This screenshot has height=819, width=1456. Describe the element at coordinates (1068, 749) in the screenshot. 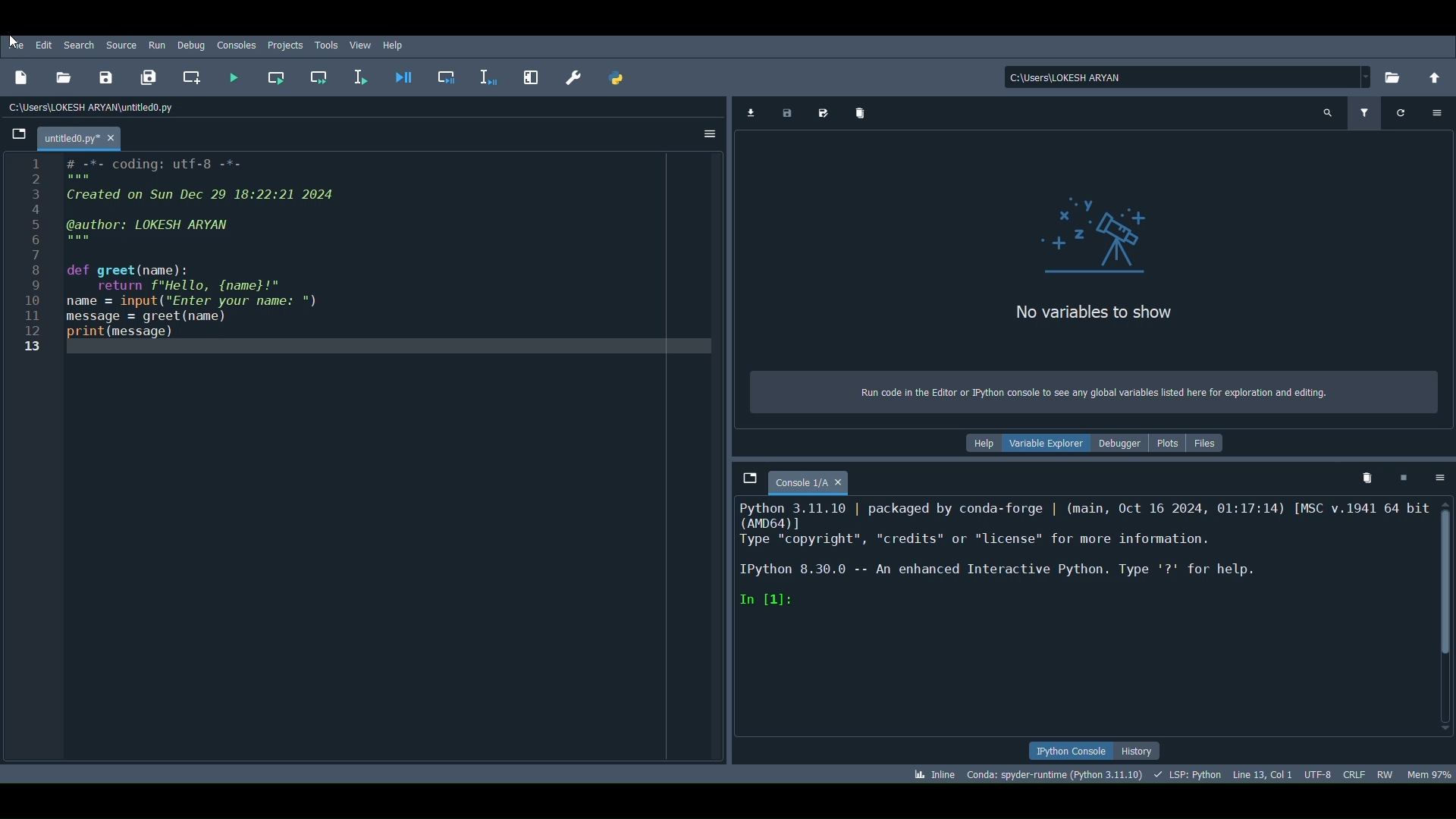

I see `IPython console` at that location.